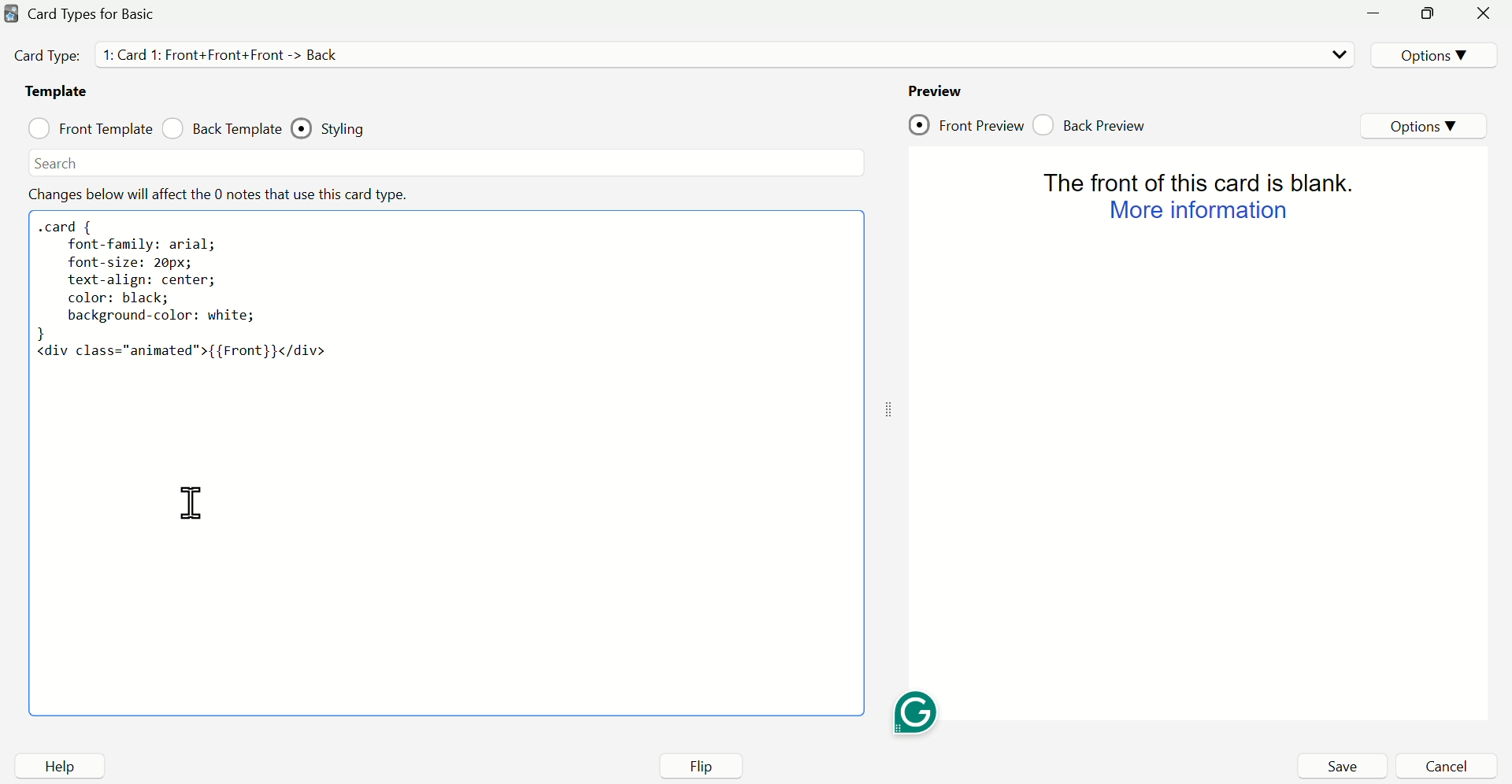  What do you see at coordinates (98, 15) in the screenshot?
I see `Card Type` at bounding box center [98, 15].